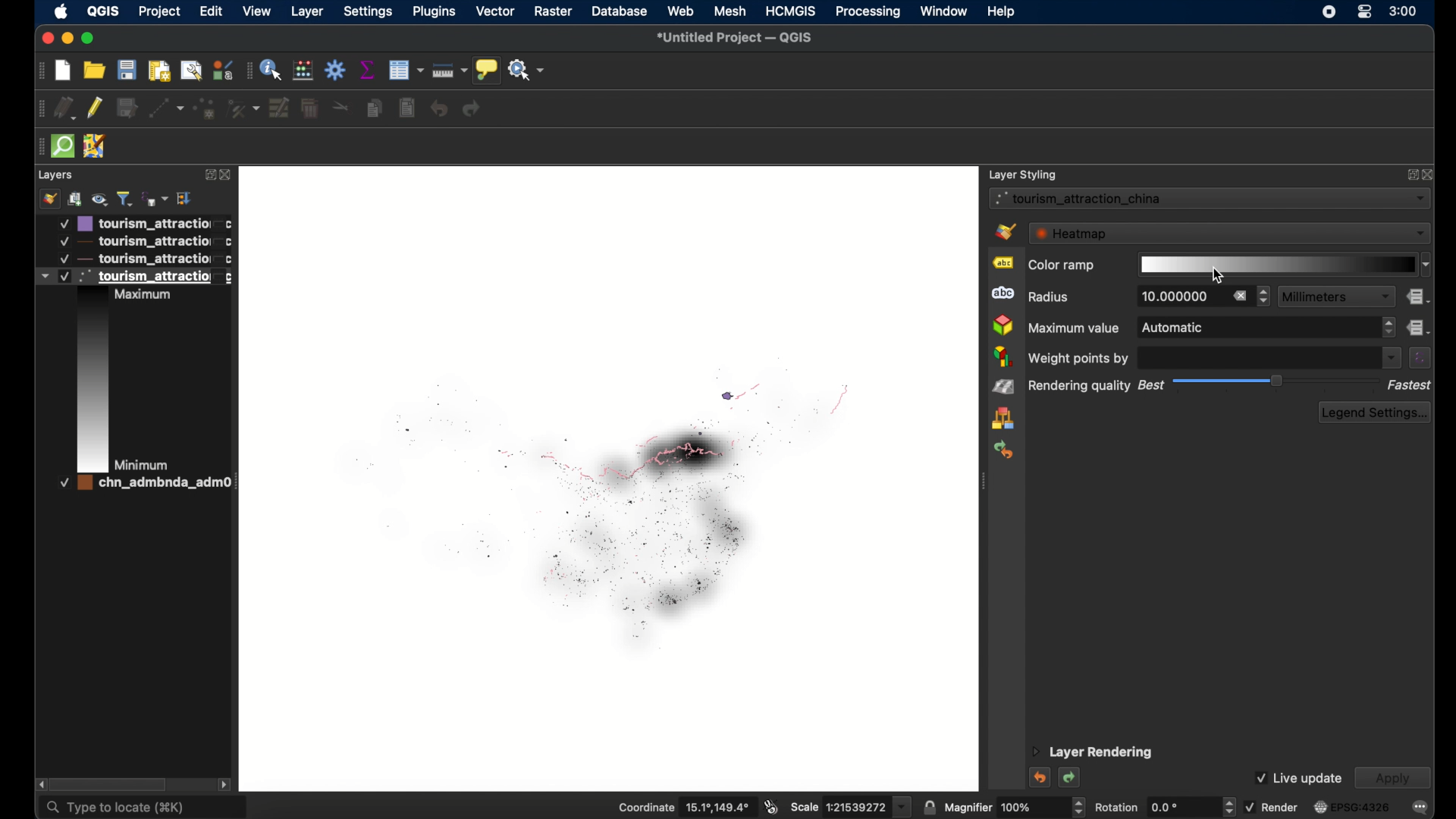 The height and width of the screenshot is (819, 1456). What do you see at coordinates (1038, 777) in the screenshot?
I see `undo` at bounding box center [1038, 777].